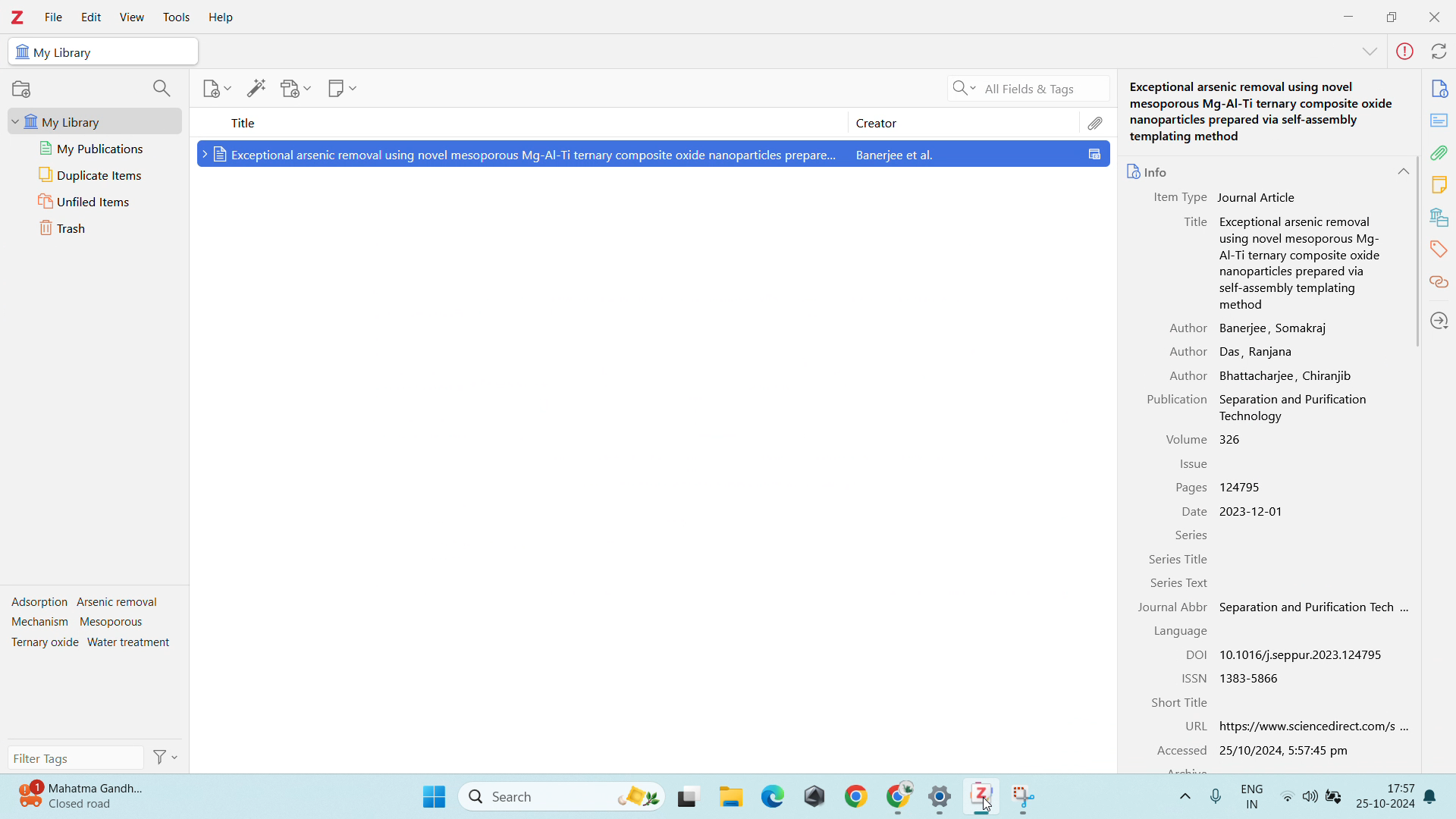 The image size is (1456, 819). I want to click on Language, so click(1183, 632).